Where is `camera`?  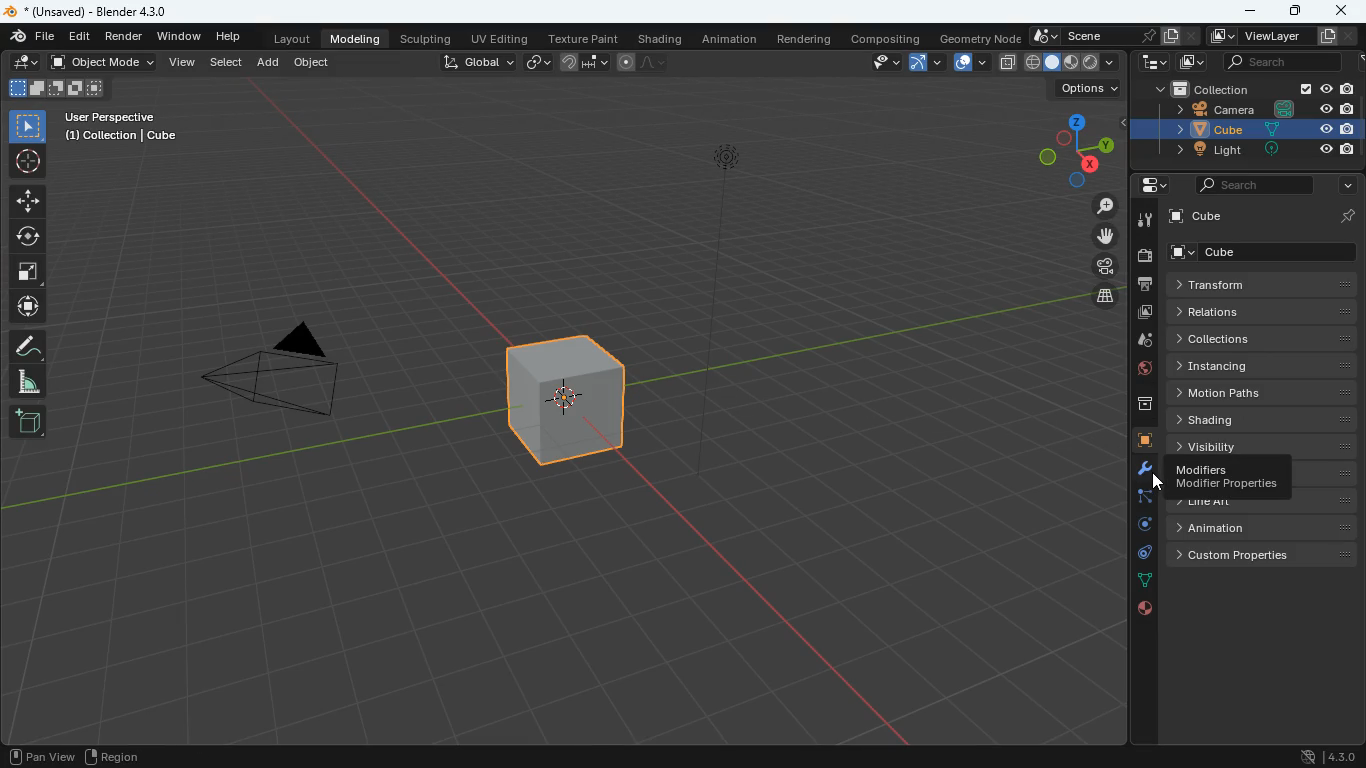
camera is located at coordinates (283, 374).